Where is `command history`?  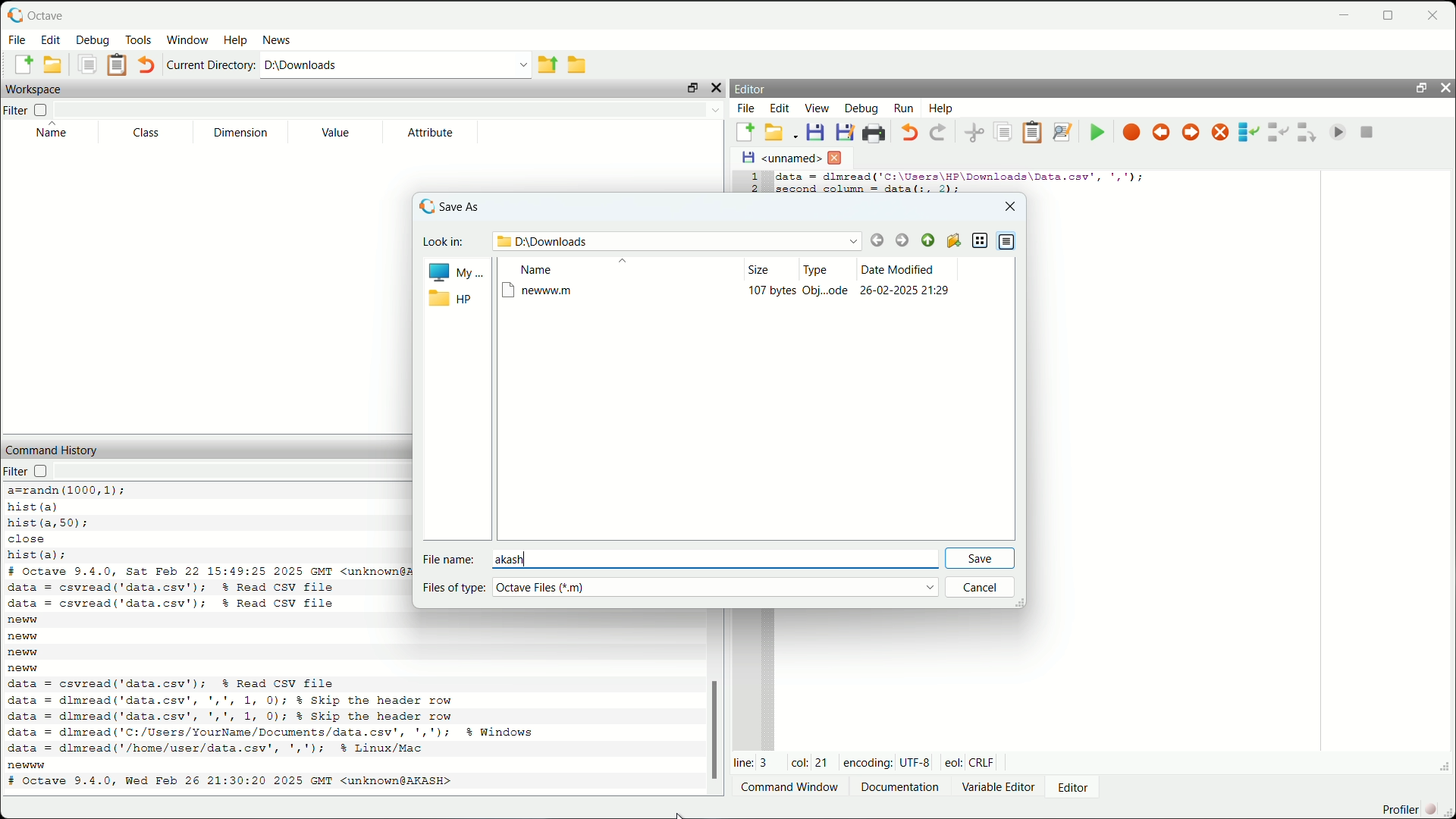 command history is located at coordinates (49, 447).